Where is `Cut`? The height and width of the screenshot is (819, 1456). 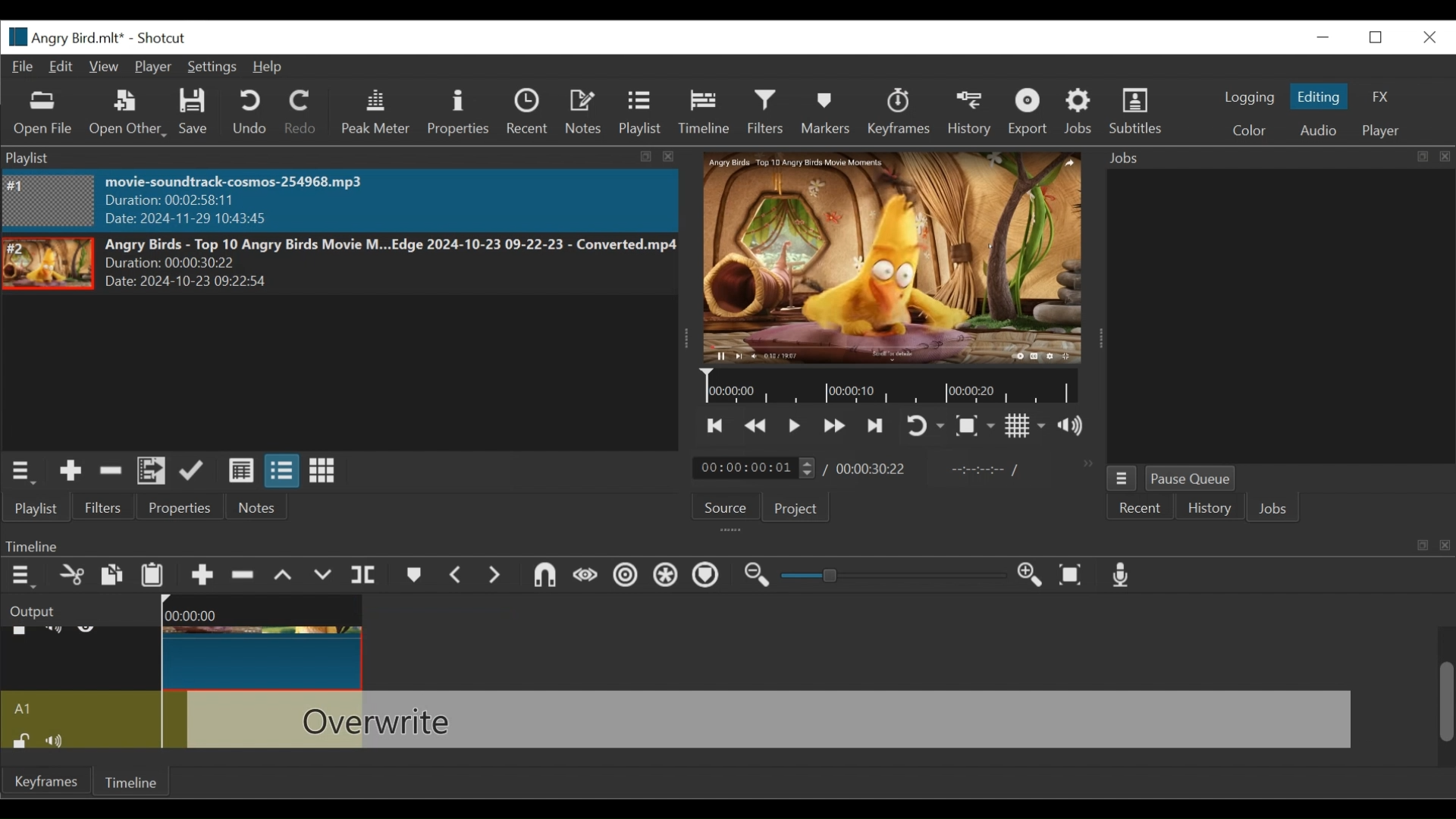 Cut is located at coordinates (71, 576).